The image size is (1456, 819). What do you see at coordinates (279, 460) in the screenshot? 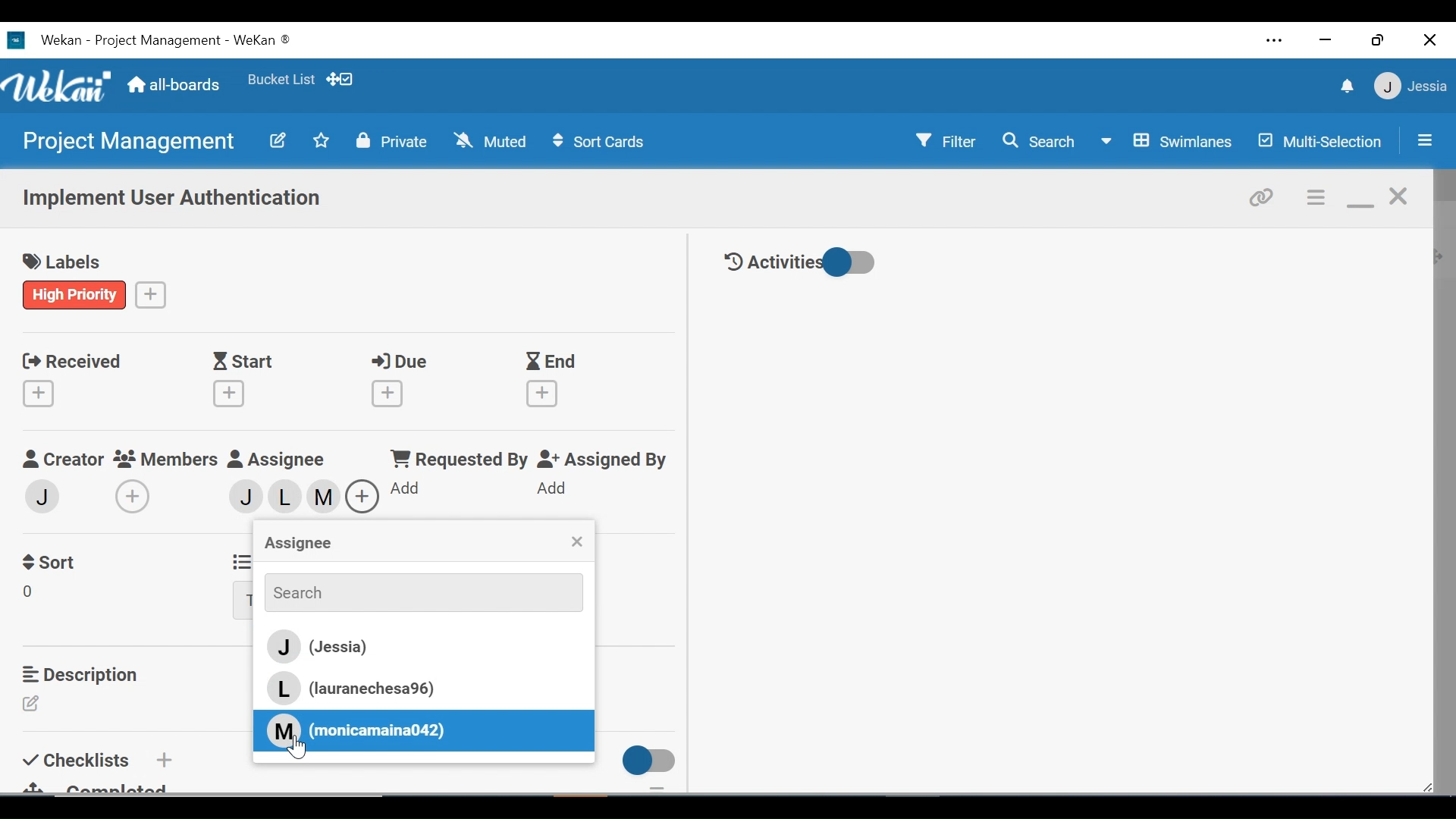
I see `Assignee` at bounding box center [279, 460].